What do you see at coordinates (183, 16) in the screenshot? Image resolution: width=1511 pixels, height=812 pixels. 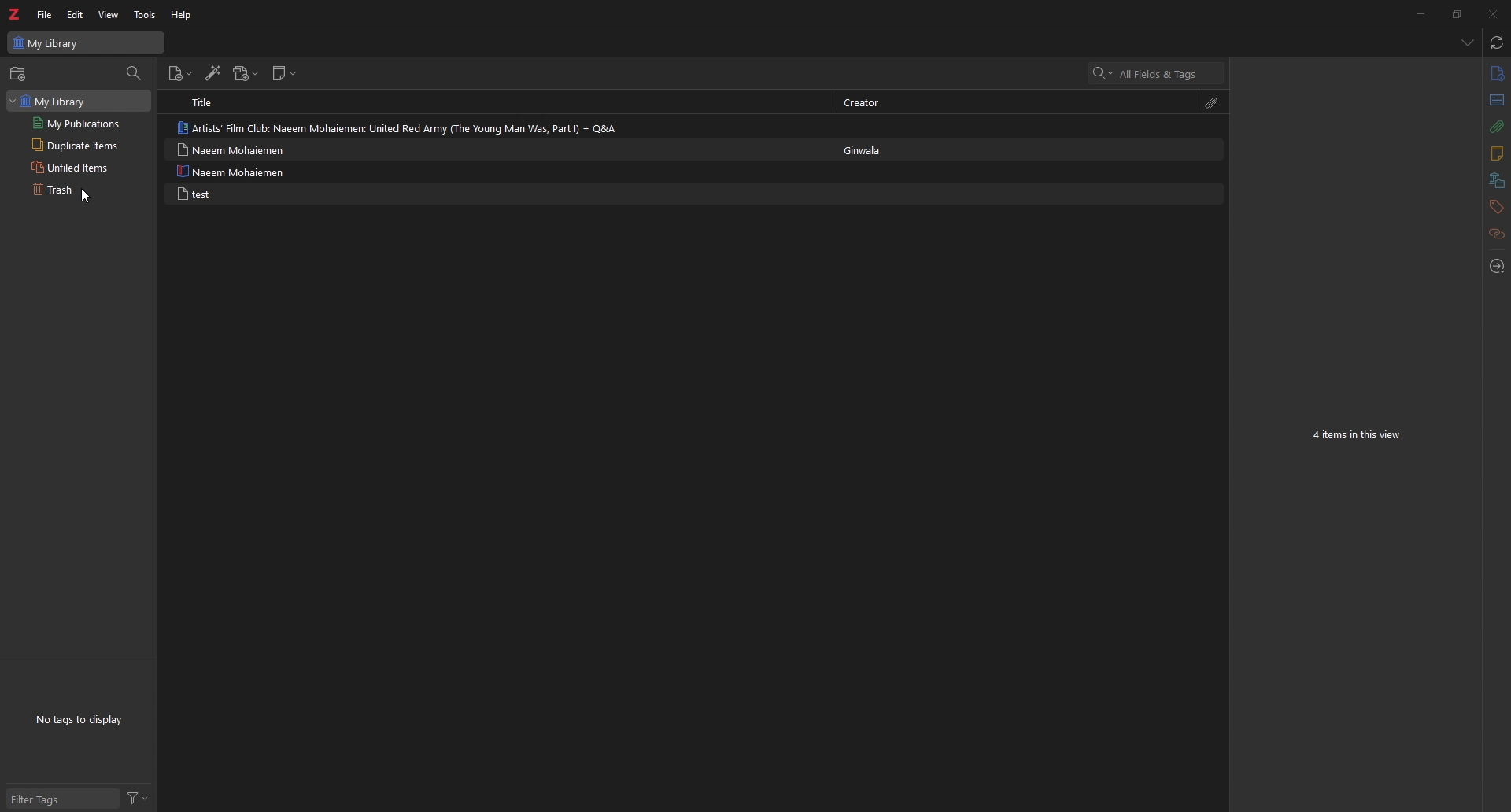 I see `help` at bounding box center [183, 16].